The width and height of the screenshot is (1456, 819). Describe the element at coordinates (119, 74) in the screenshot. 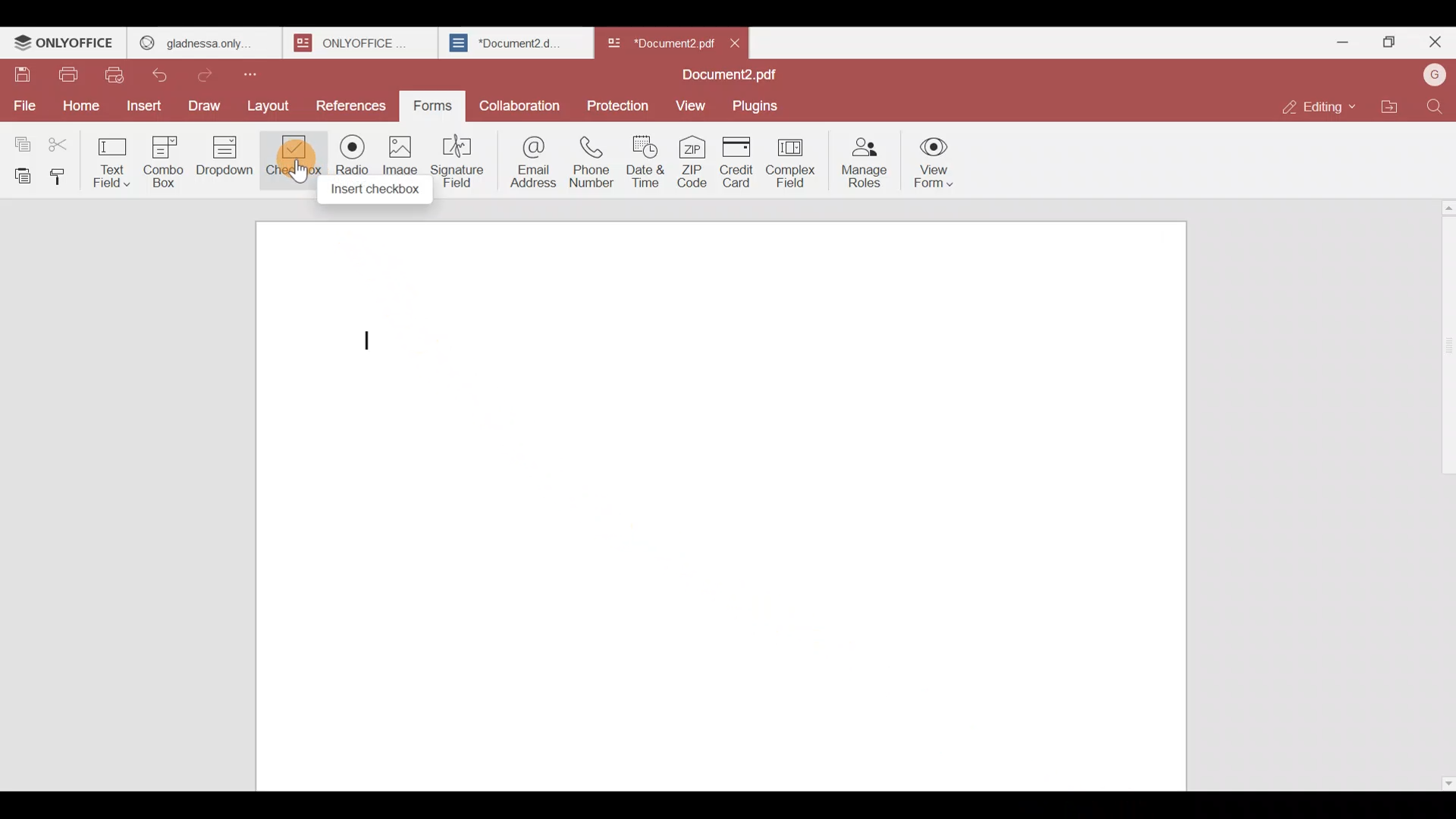

I see `Quick print` at that location.